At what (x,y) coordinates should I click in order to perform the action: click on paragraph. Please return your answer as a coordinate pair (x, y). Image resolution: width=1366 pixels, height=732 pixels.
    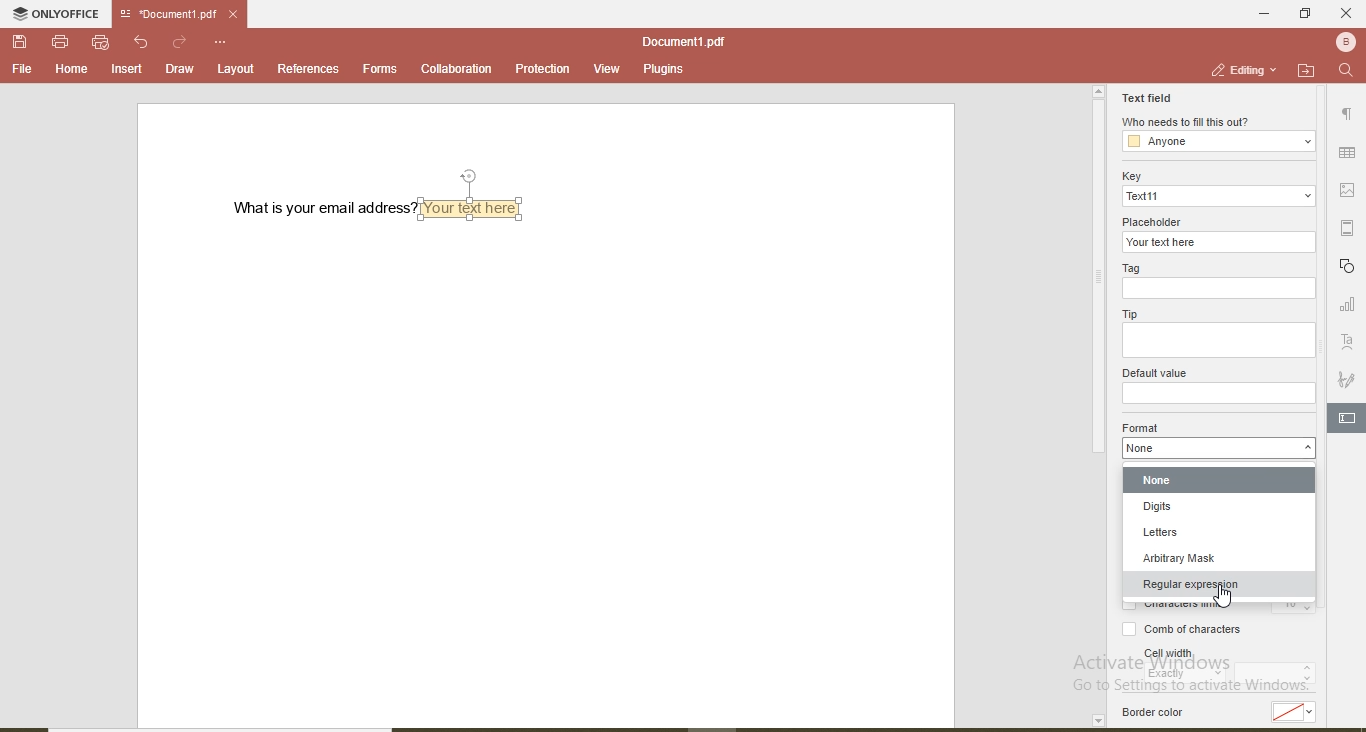
    Looking at the image, I should click on (1346, 117).